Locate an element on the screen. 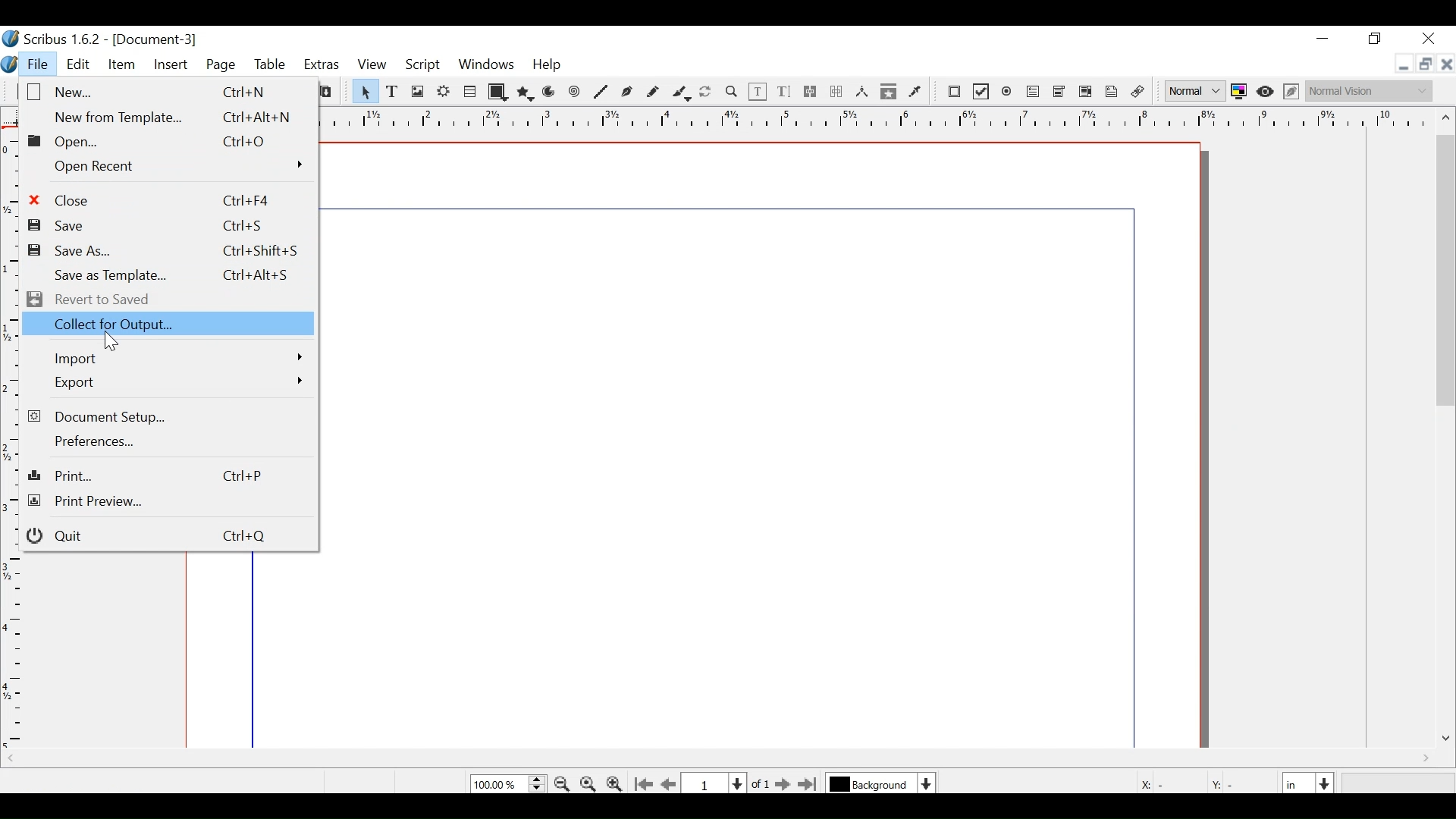 The width and height of the screenshot is (1456, 819). PDF Check Box is located at coordinates (981, 92).